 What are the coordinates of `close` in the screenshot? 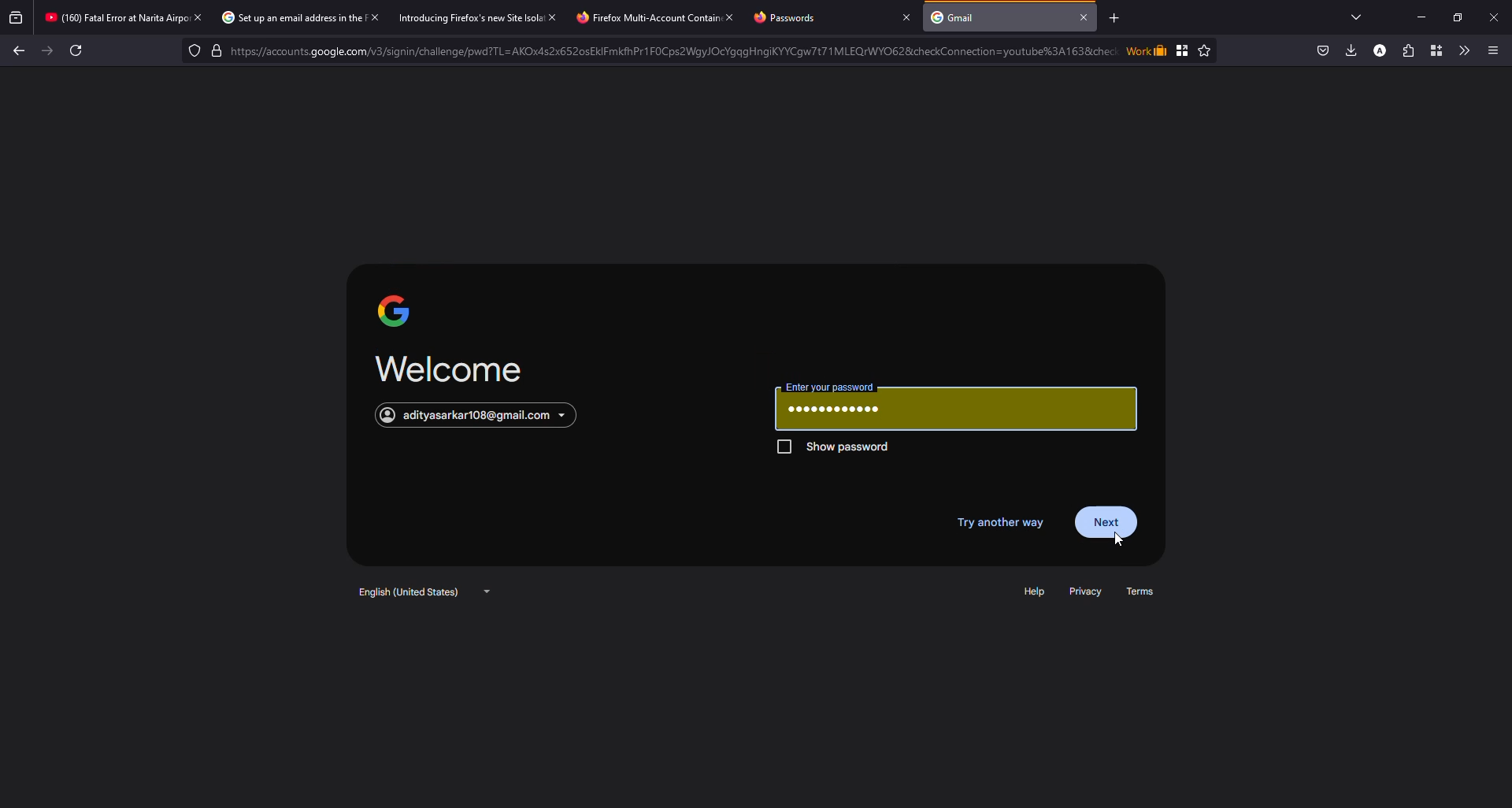 It's located at (376, 17).